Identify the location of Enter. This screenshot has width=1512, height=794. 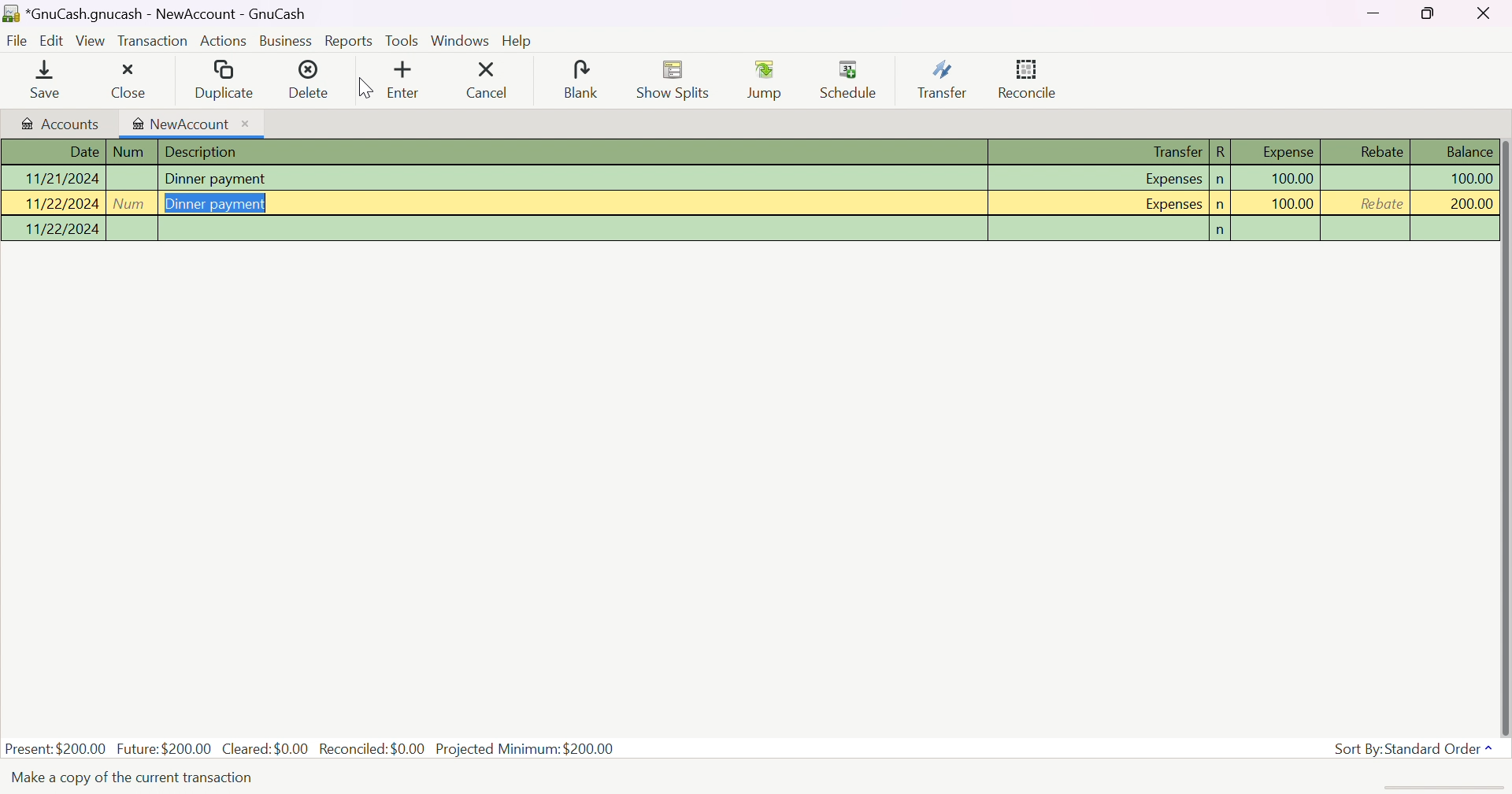
(403, 82).